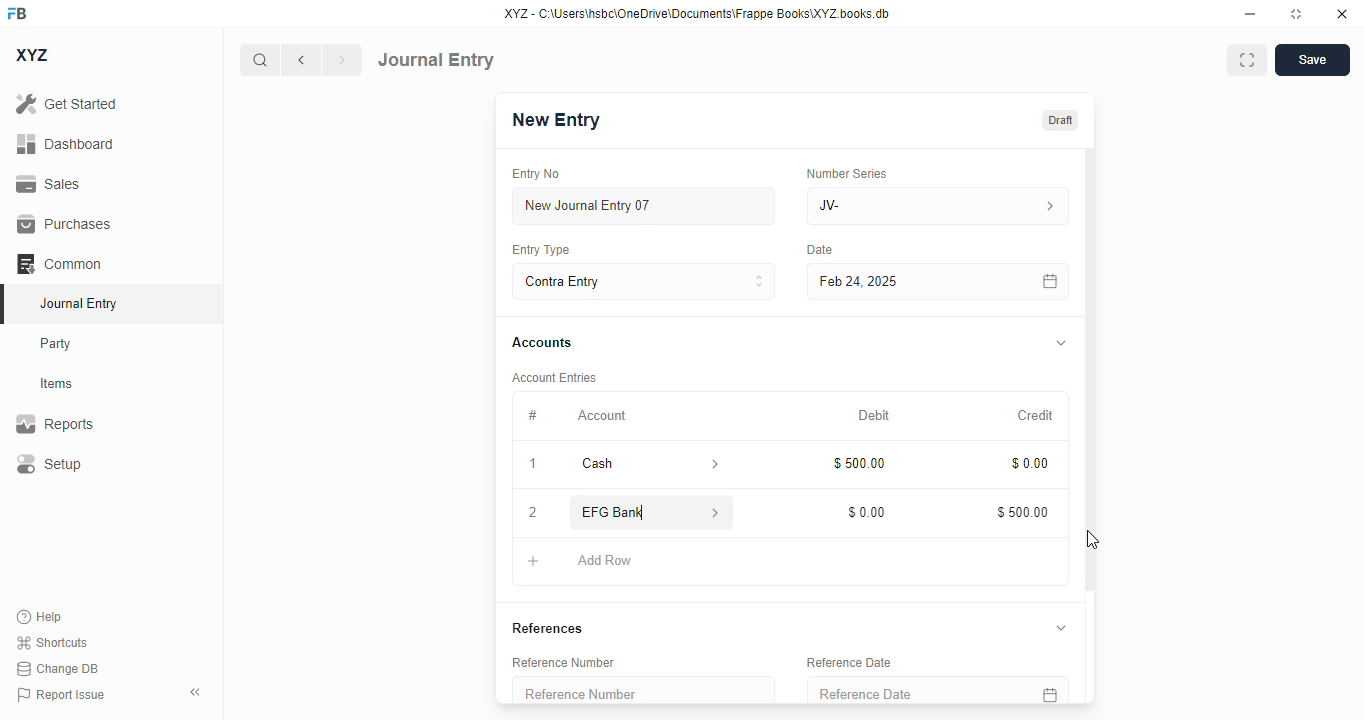  What do you see at coordinates (556, 377) in the screenshot?
I see `account entries` at bounding box center [556, 377].